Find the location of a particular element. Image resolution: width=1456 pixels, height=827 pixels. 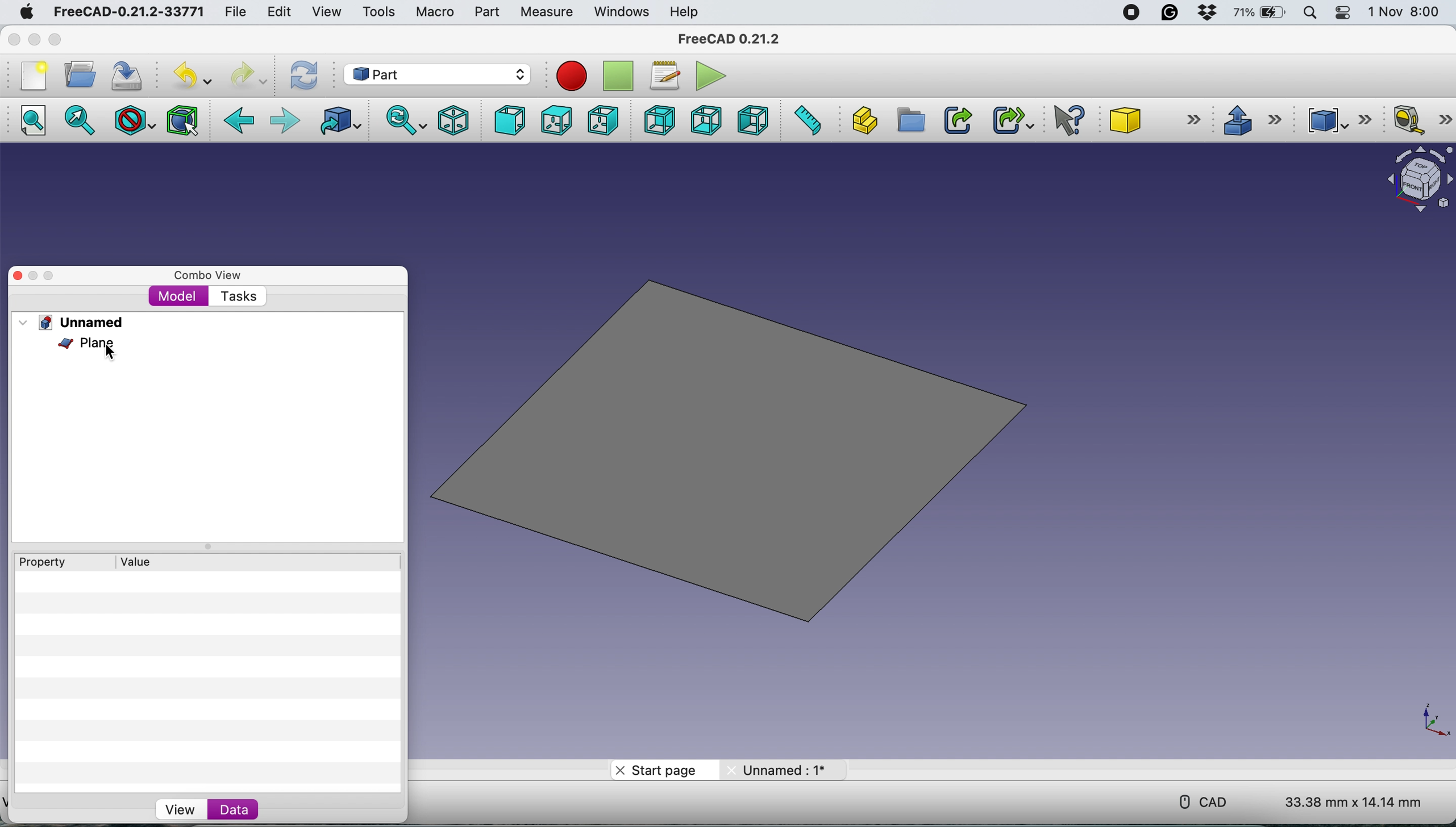

measure is located at coordinates (550, 11).